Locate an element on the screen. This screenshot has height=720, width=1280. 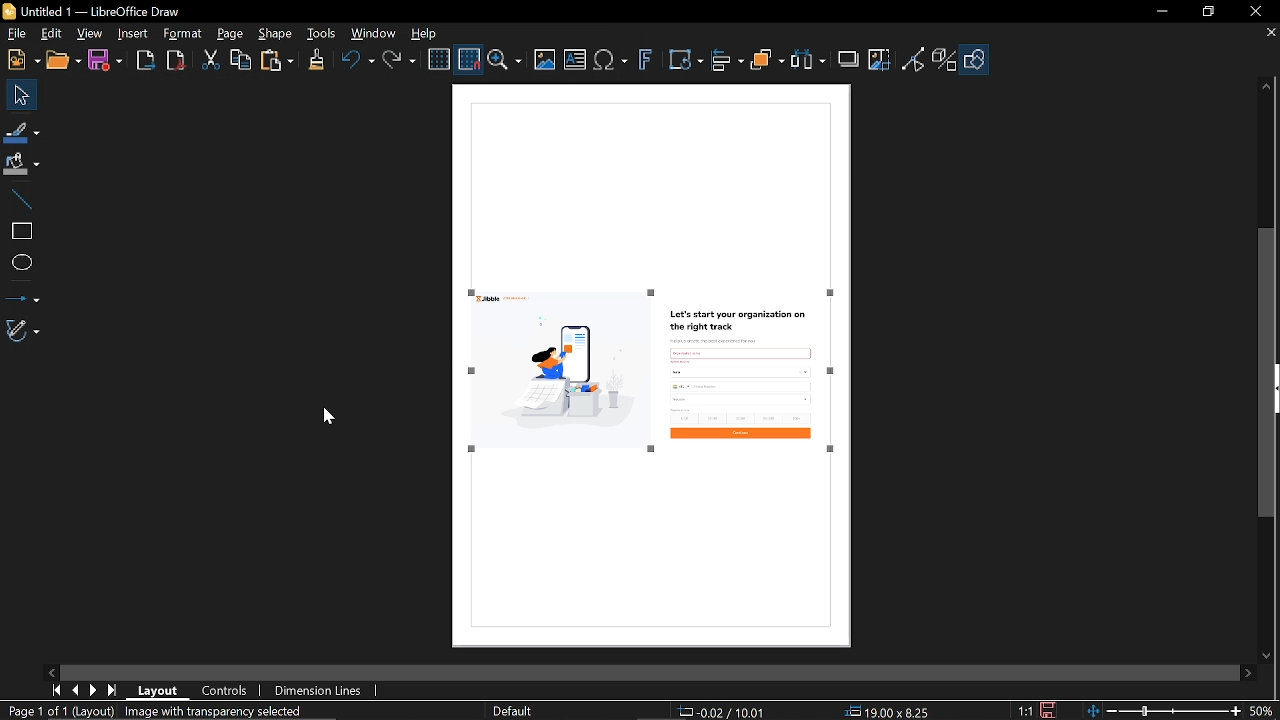
Page is located at coordinates (232, 35).